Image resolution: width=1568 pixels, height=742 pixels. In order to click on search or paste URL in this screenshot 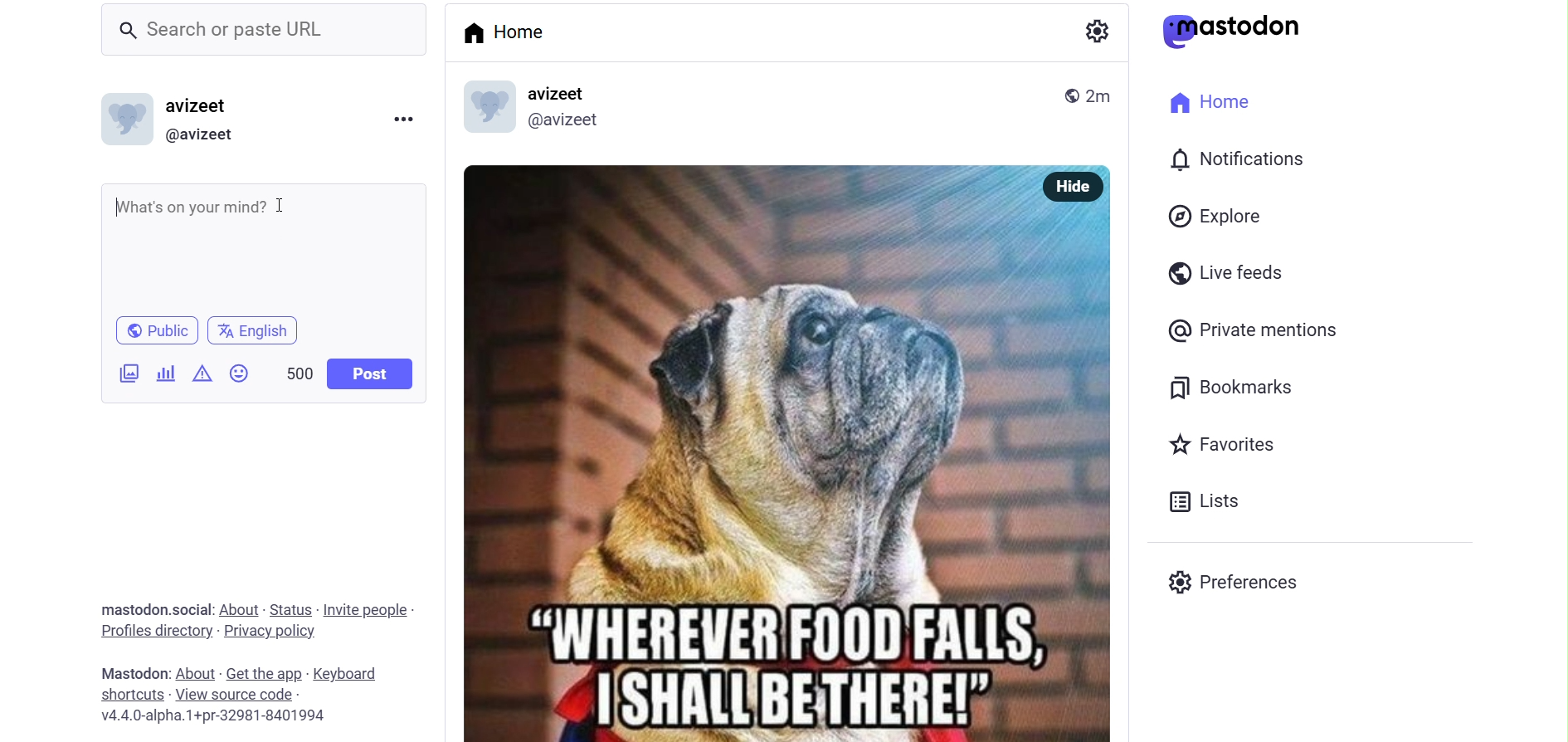, I will do `click(264, 28)`.